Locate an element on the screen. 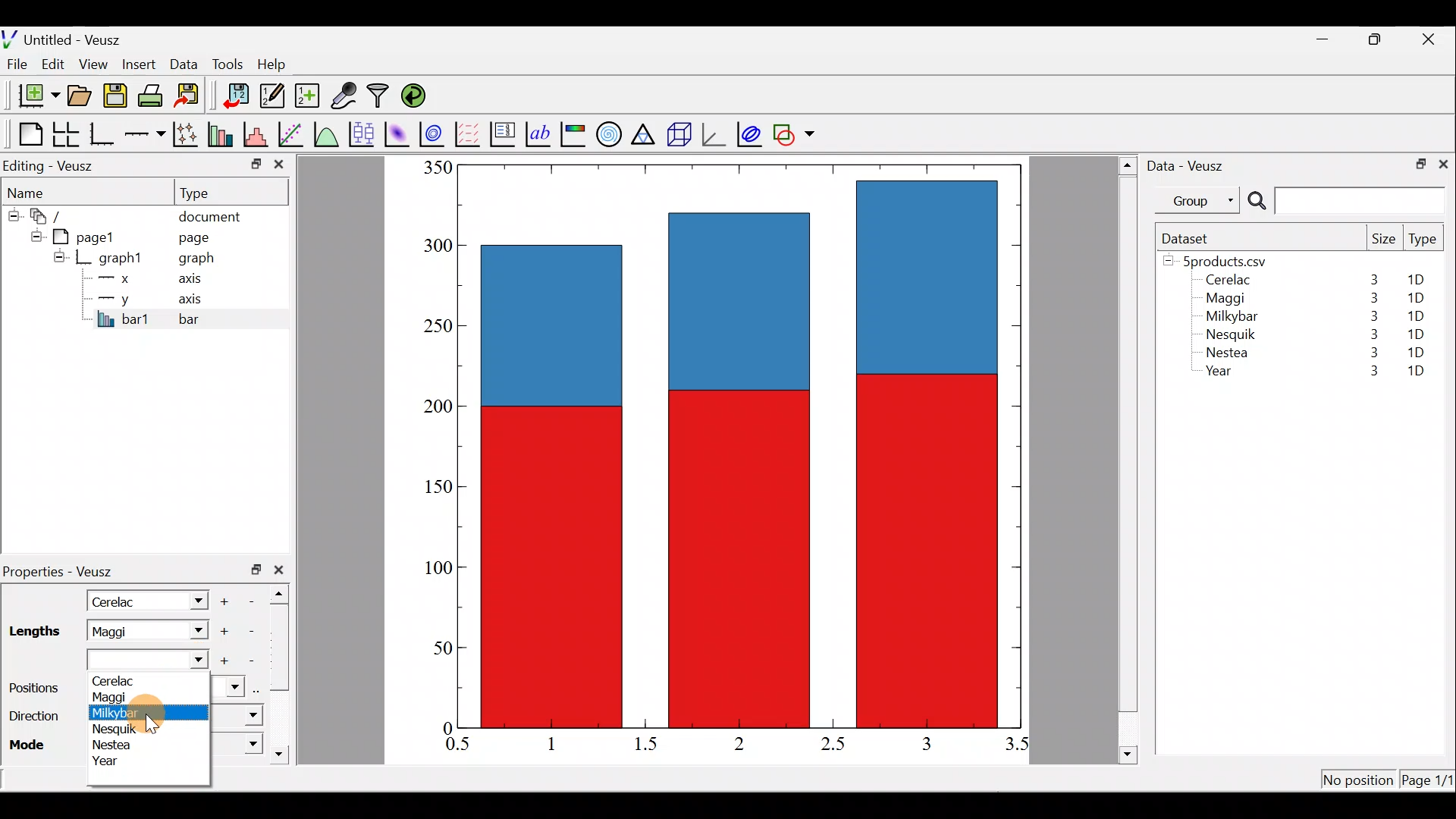 The height and width of the screenshot is (819, 1456). 1D is located at coordinates (1415, 298).